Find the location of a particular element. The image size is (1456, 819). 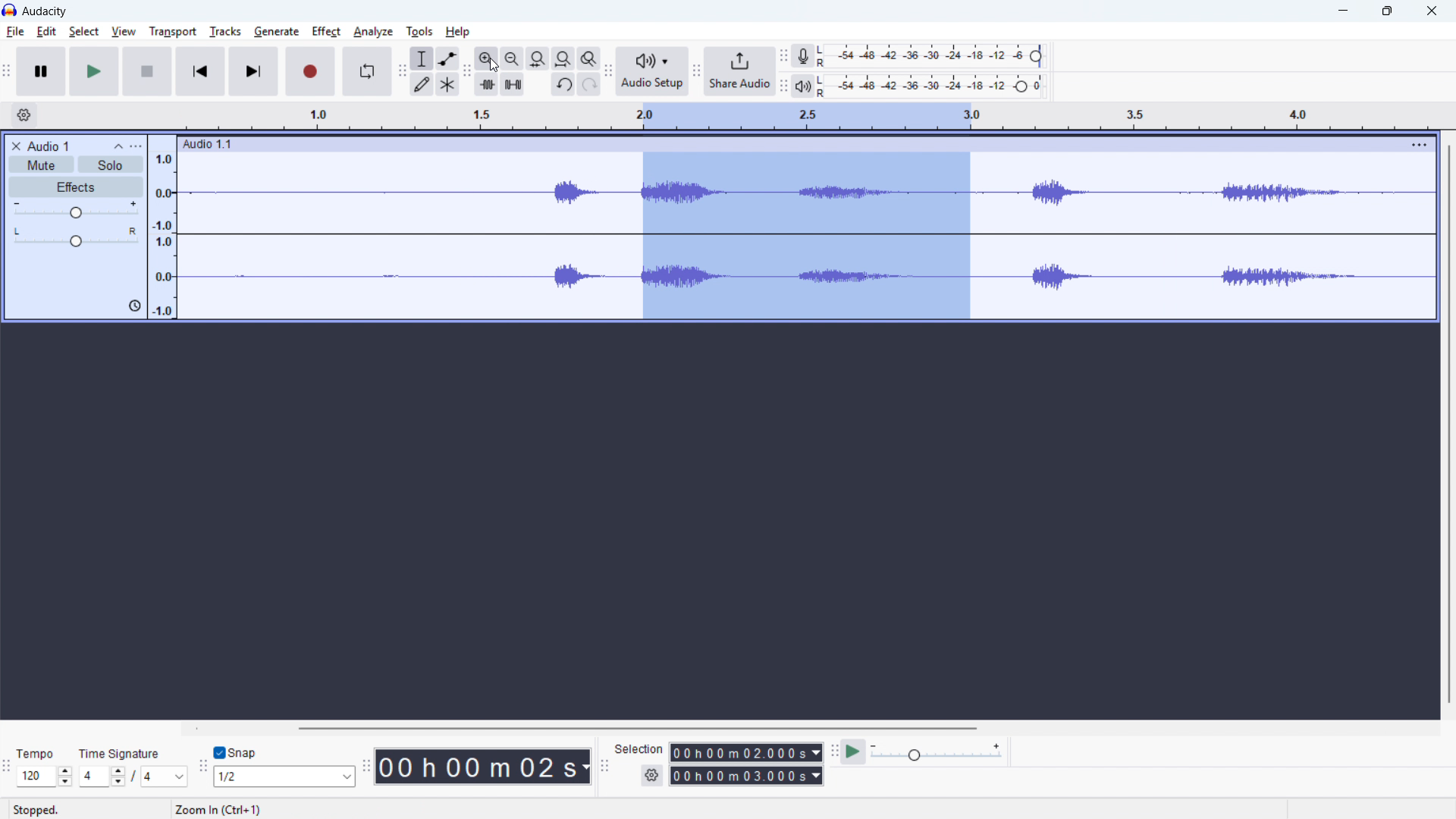

Play at speed toolbar is located at coordinates (833, 752).